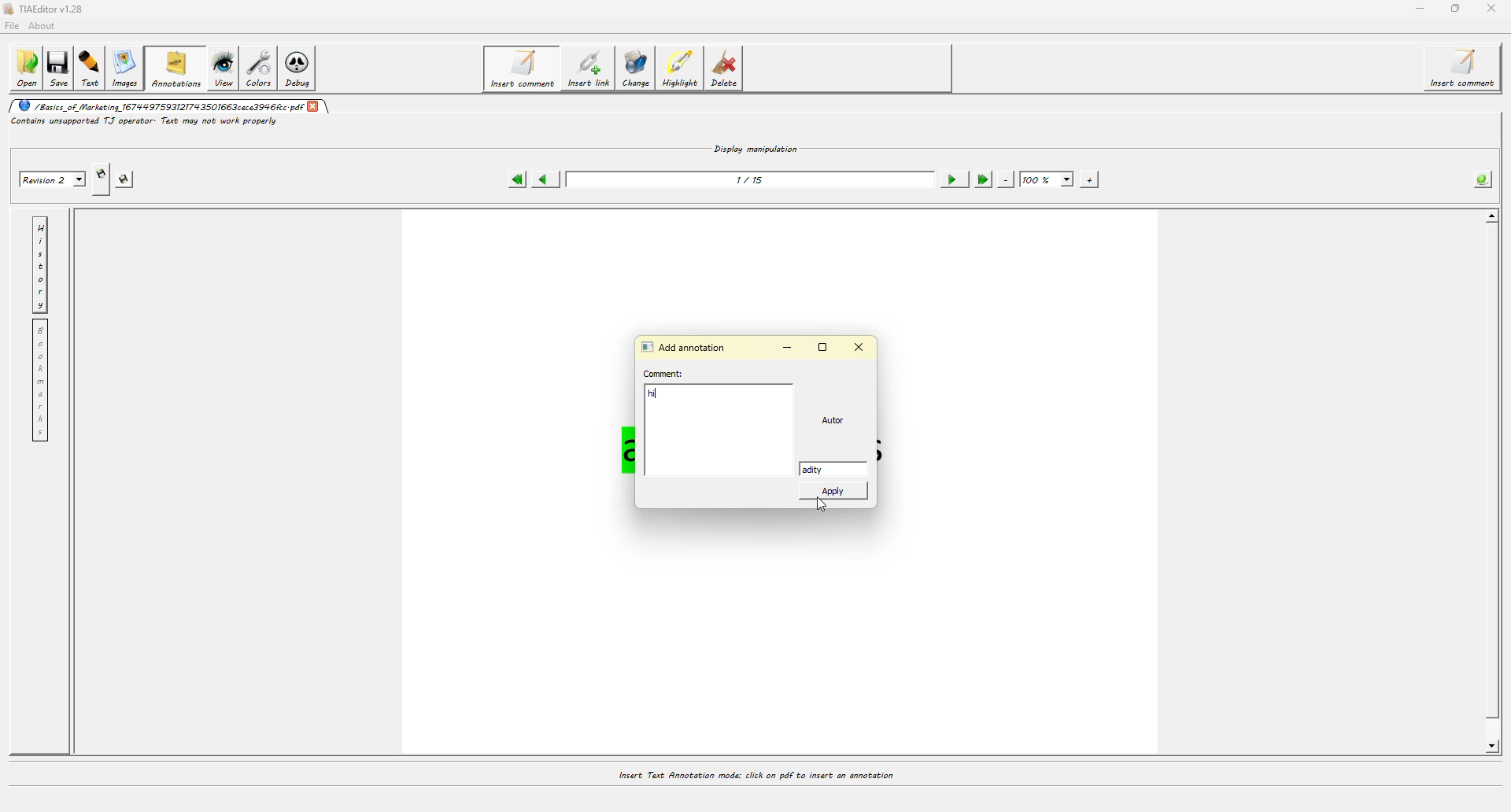 The image size is (1511, 812). Describe the element at coordinates (687, 345) in the screenshot. I see `add annotation` at that location.